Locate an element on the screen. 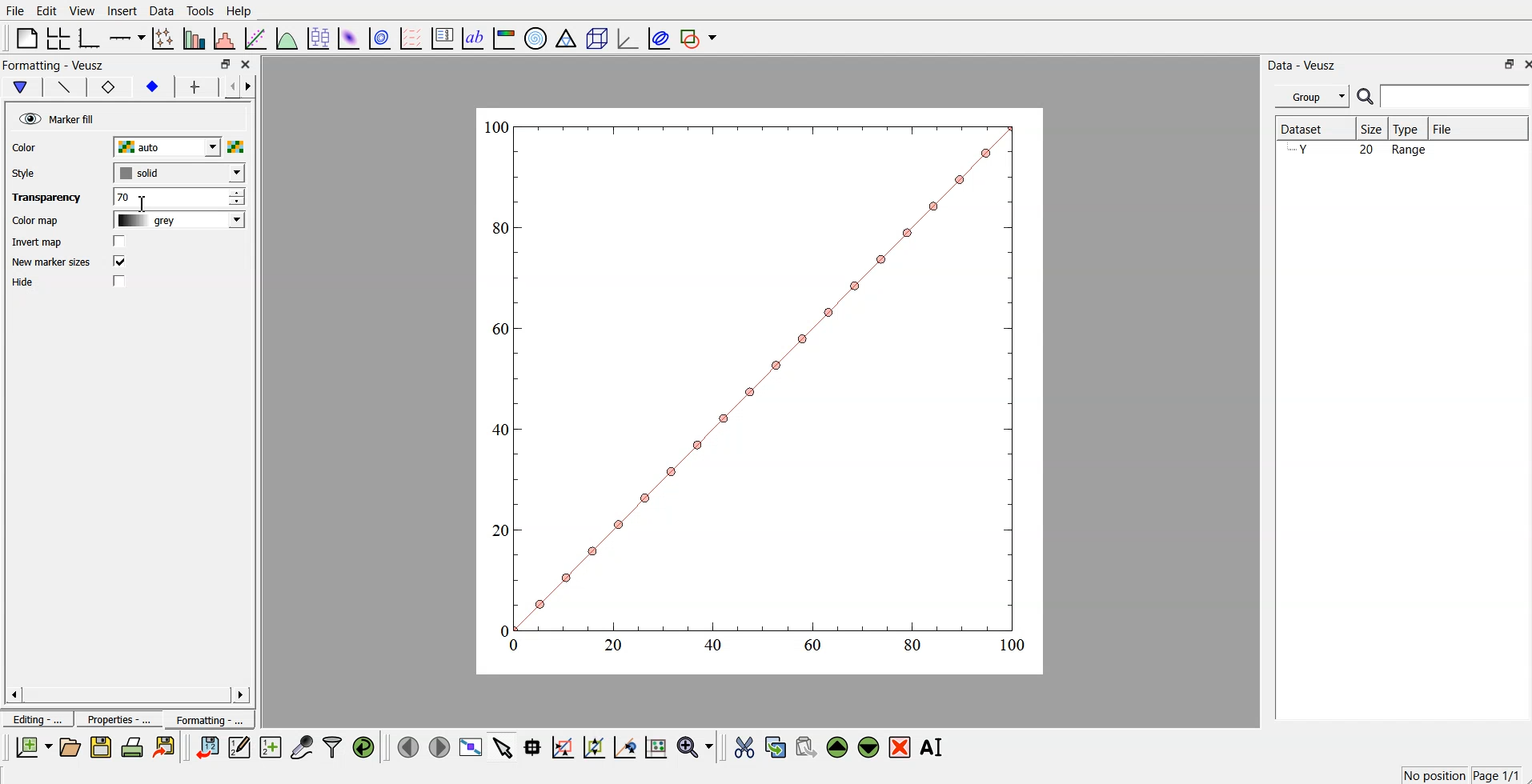 This screenshot has width=1532, height=784. fit a function to data is located at coordinates (256, 38).